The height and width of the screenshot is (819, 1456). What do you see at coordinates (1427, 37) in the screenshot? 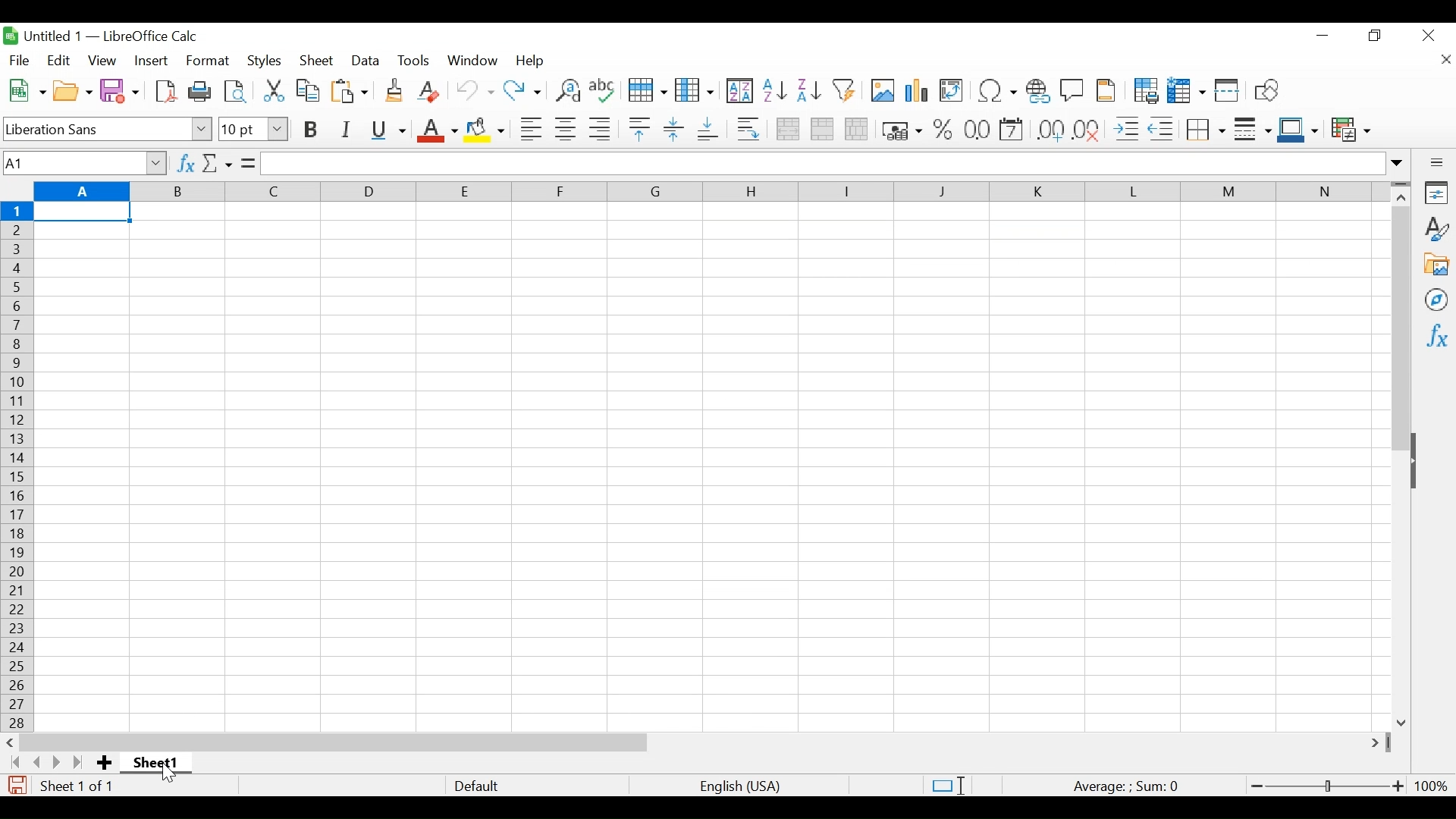
I see `Close` at bounding box center [1427, 37].